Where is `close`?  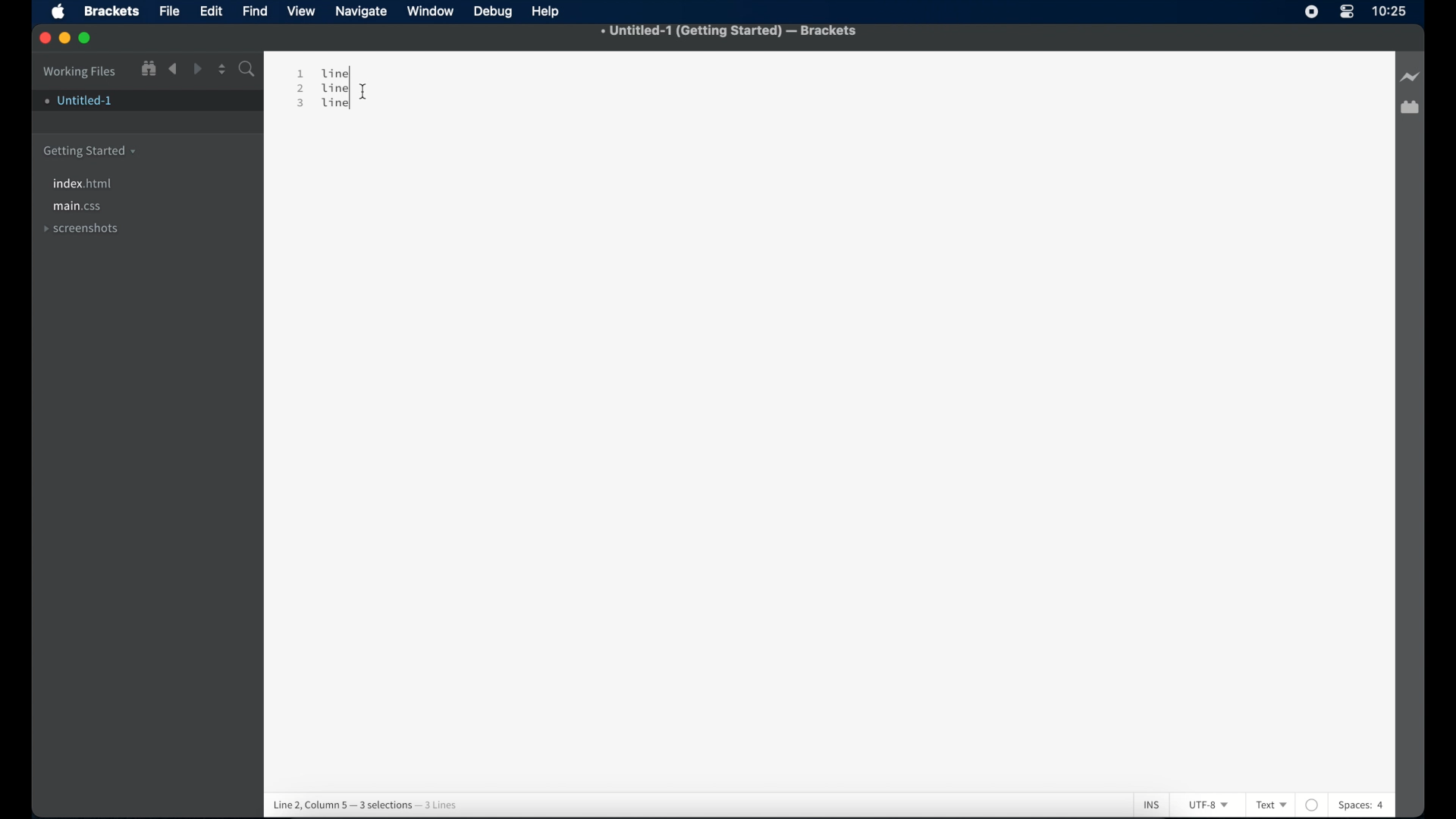 close is located at coordinates (46, 39).